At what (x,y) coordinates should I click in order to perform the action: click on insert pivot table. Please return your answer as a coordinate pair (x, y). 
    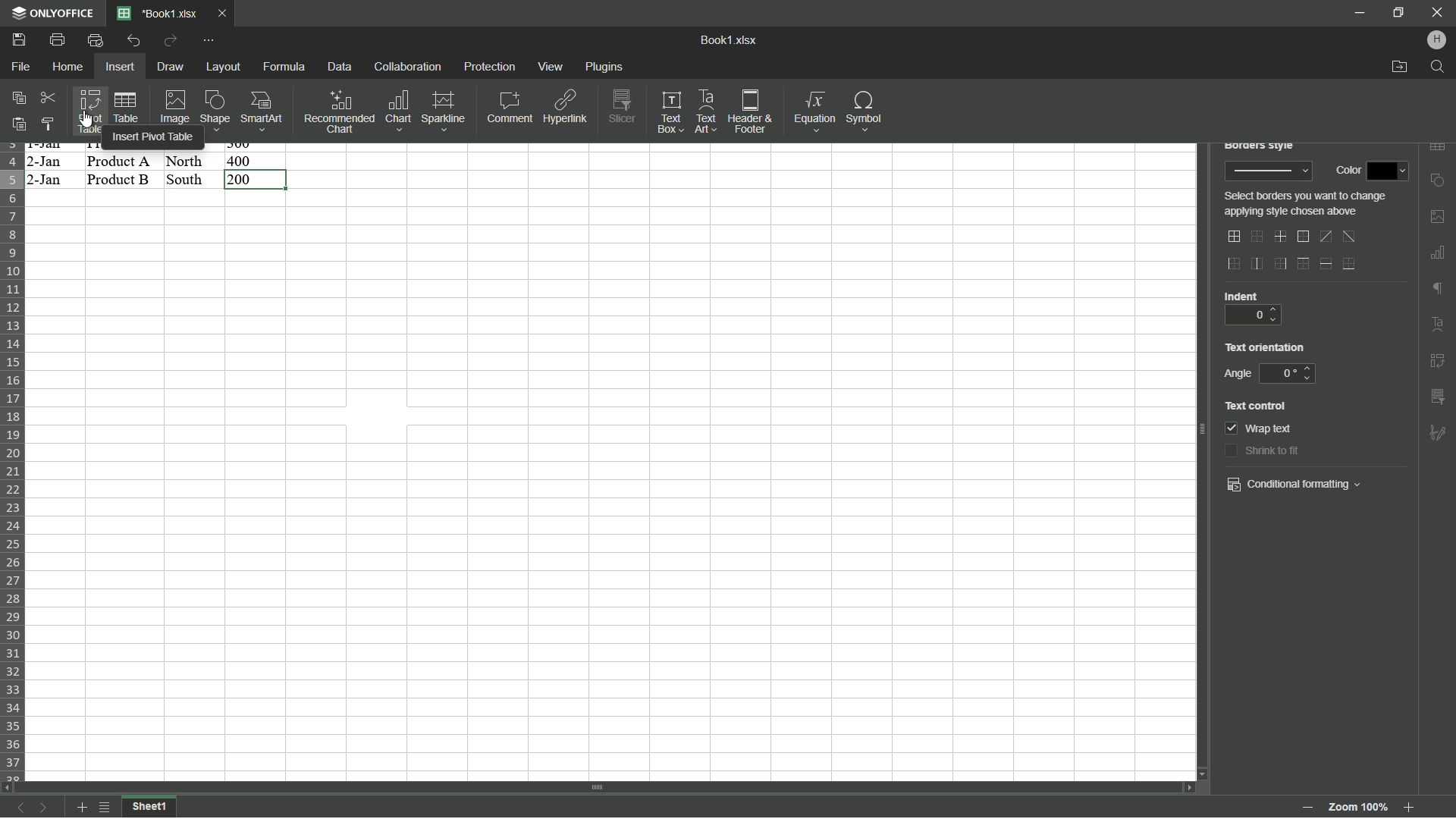
    Looking at the image, I should click on (1439, 362).